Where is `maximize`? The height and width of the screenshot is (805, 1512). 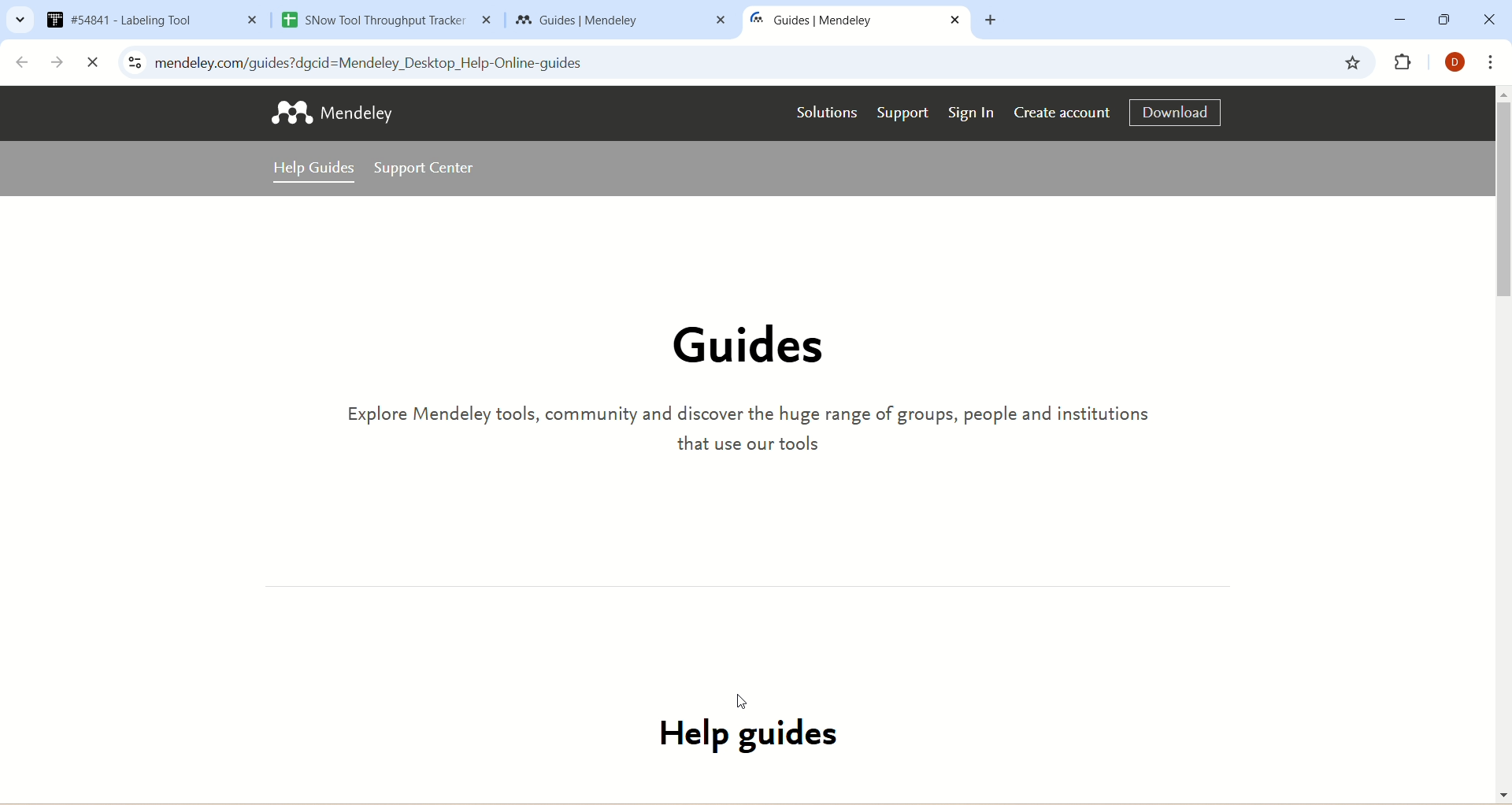 maximize is located at coordinates (1447, 20).